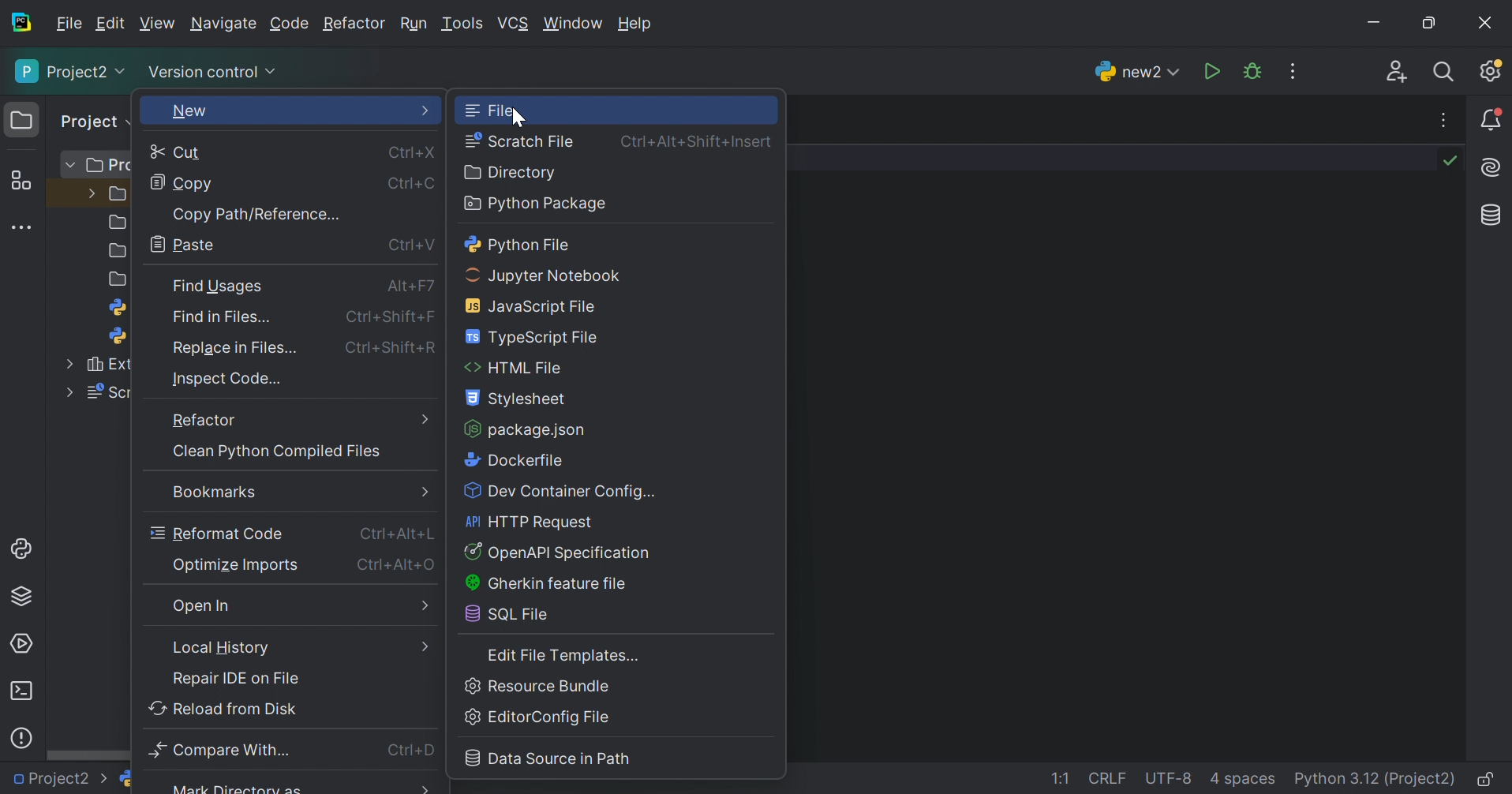 This screenshot has width=1512, height=794. Describe the element at coordinates (238, 348) in the screenshot. I see `Replace in files` at that location.